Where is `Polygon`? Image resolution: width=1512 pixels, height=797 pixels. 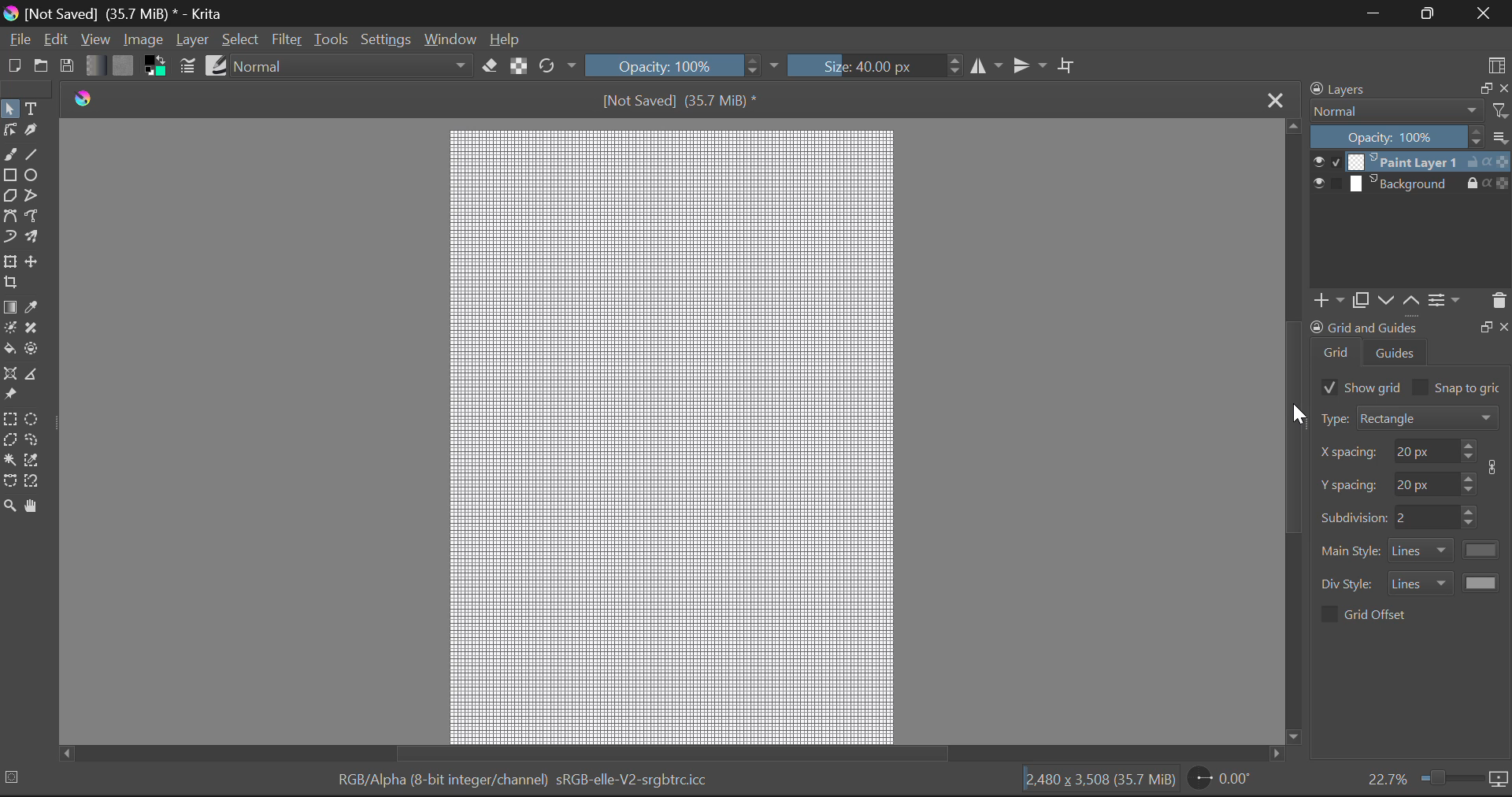
Polygon is located at coordinates (11, 197).